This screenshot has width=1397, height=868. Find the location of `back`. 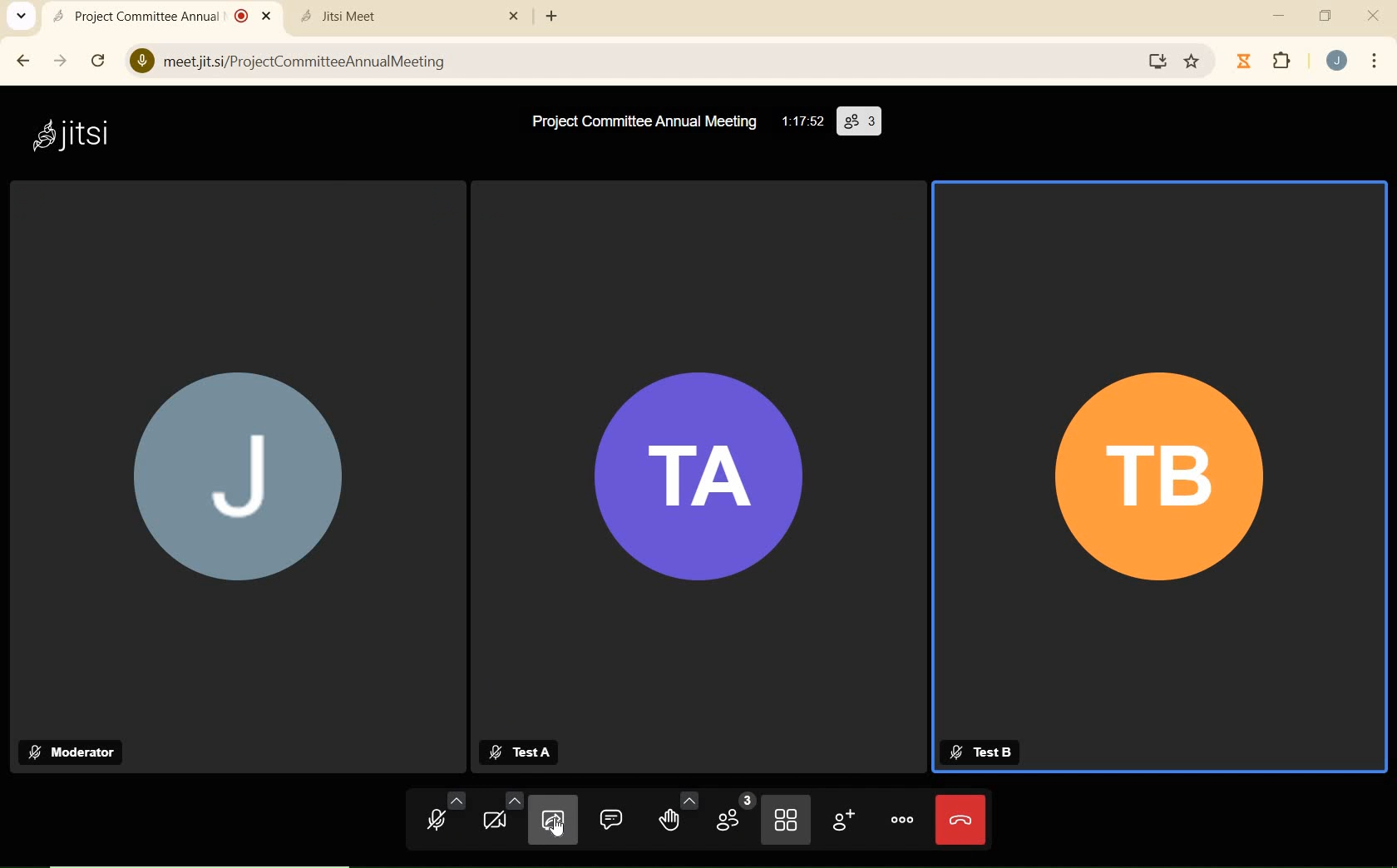

back is located at coordinates (26, 61).